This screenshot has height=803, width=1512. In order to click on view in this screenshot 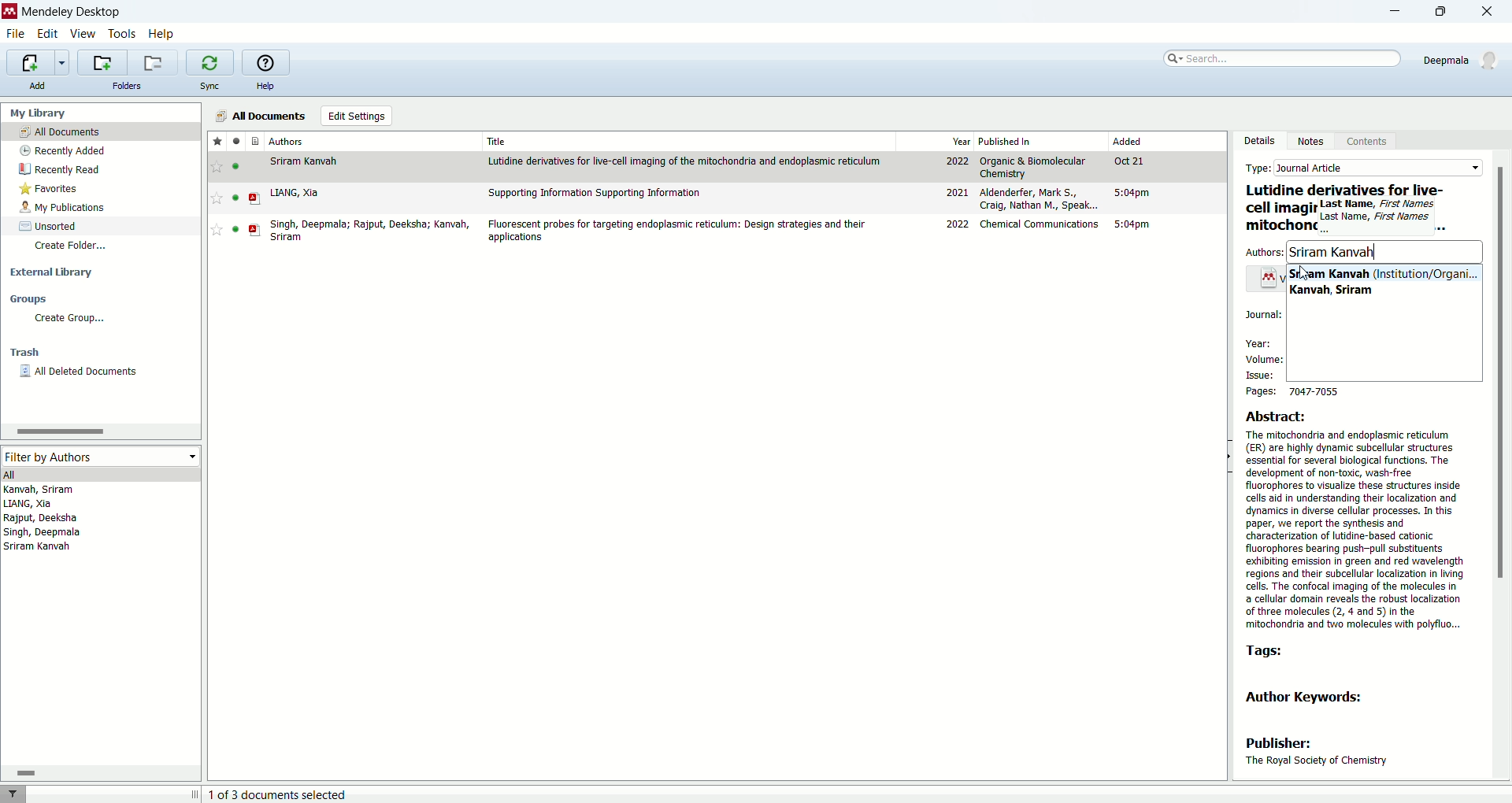, I will do `click(84, 35)`.